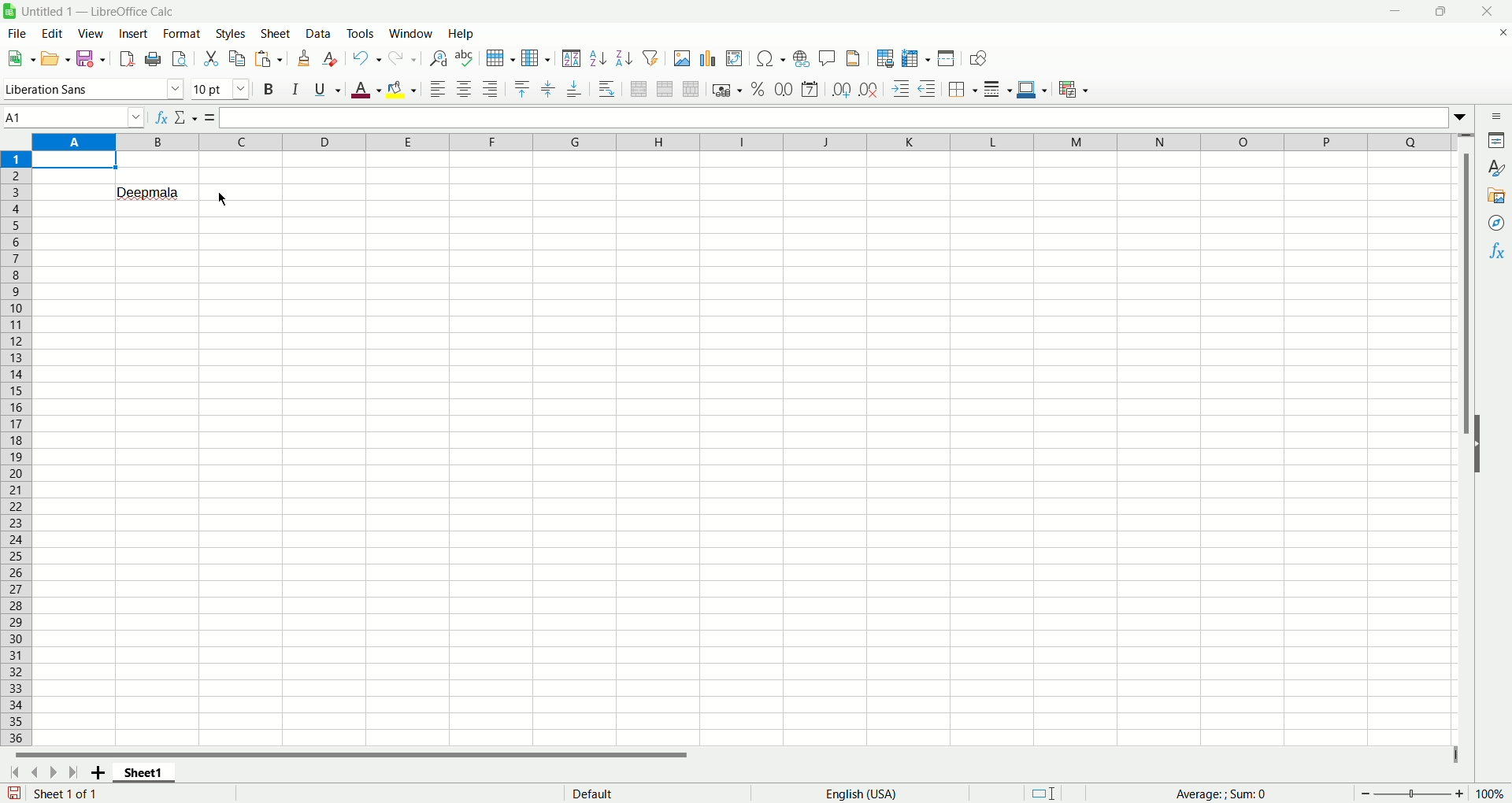 The height and width of the screenshot is (803, 1512). I want to click on Format, so click(182, 34).